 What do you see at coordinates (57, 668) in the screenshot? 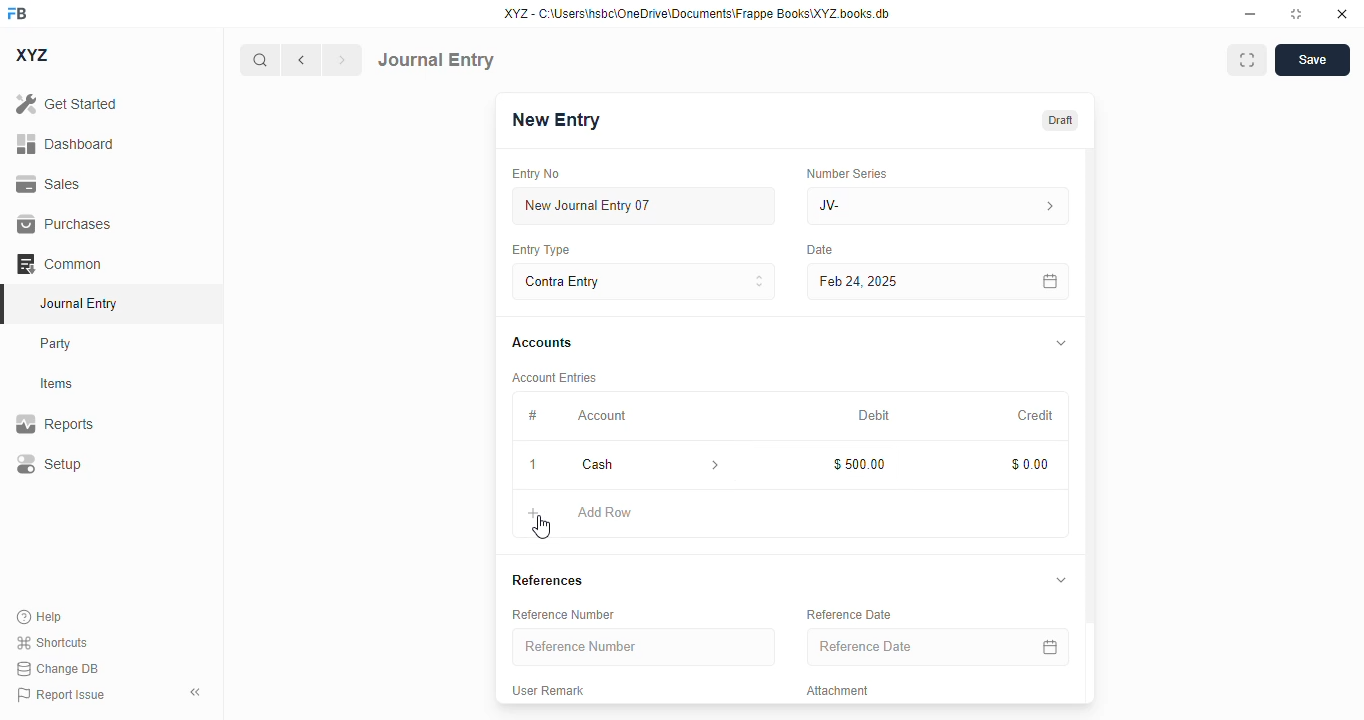
I see `change DB` at bounding box center [57, 668].